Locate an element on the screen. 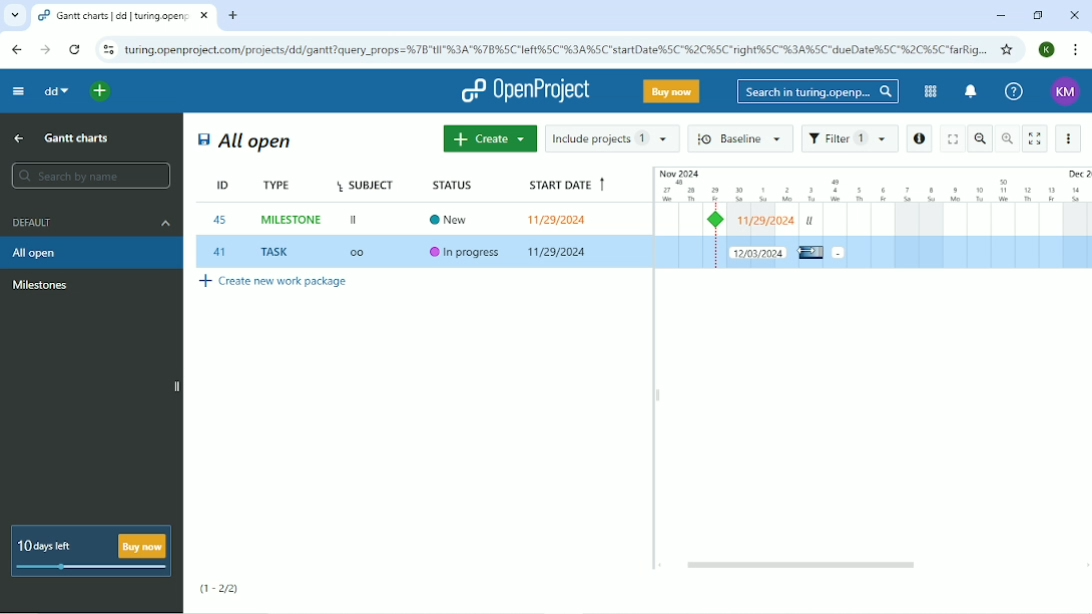  Search is located at coordinates (817, 92).